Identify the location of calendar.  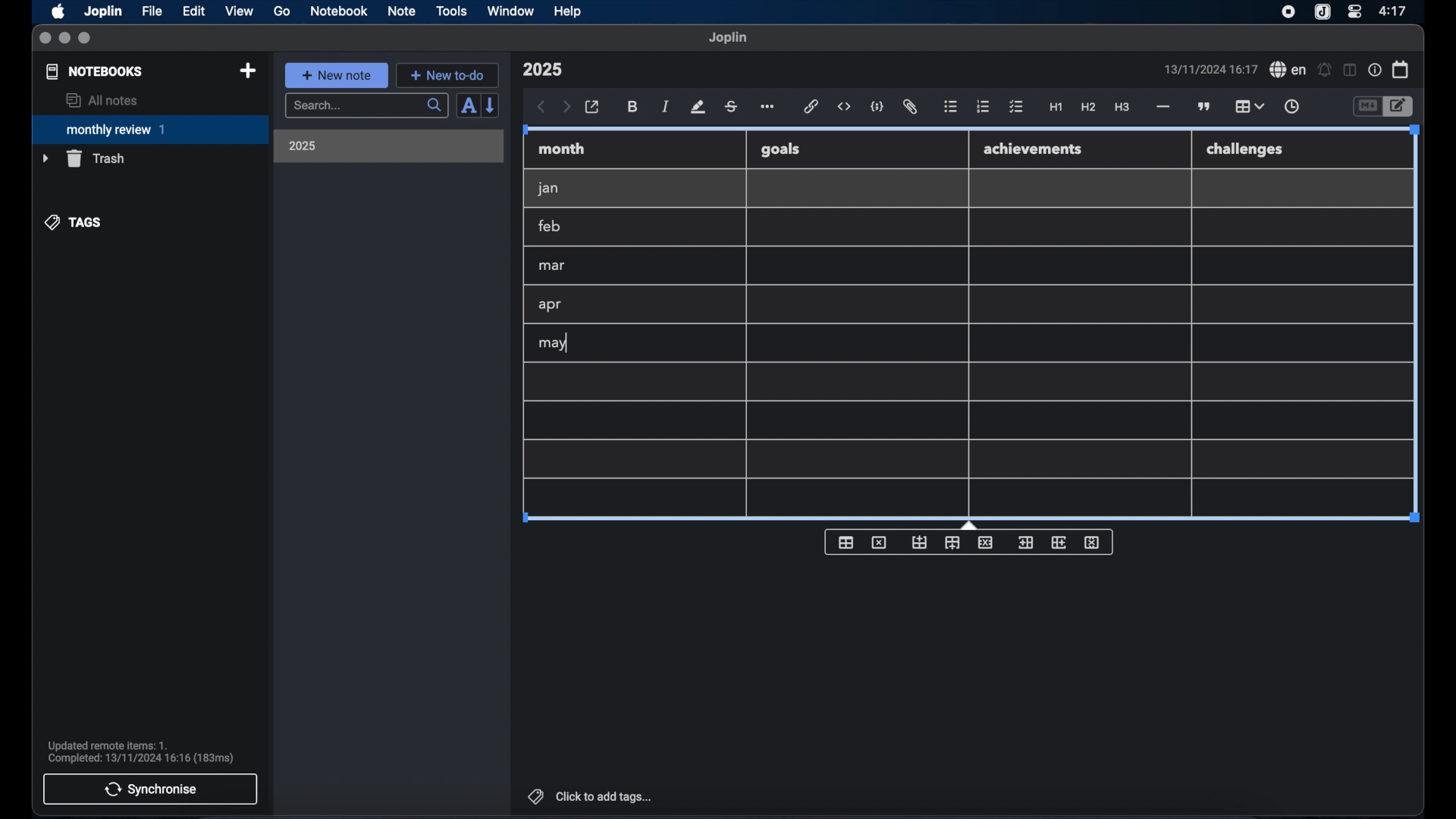
(1401, 69).